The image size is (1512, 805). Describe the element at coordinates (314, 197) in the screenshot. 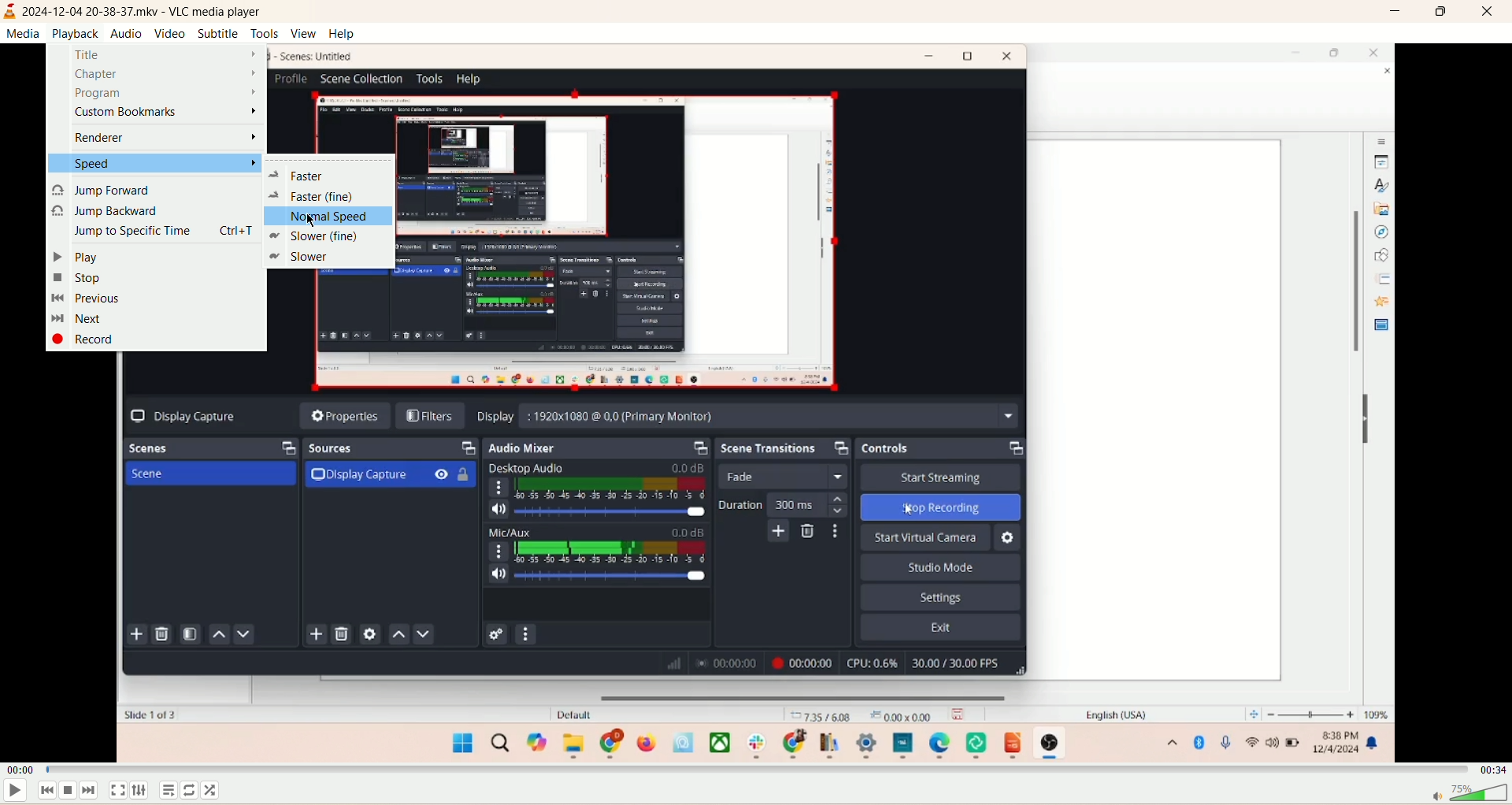

I see `faster (fine)` at that location.